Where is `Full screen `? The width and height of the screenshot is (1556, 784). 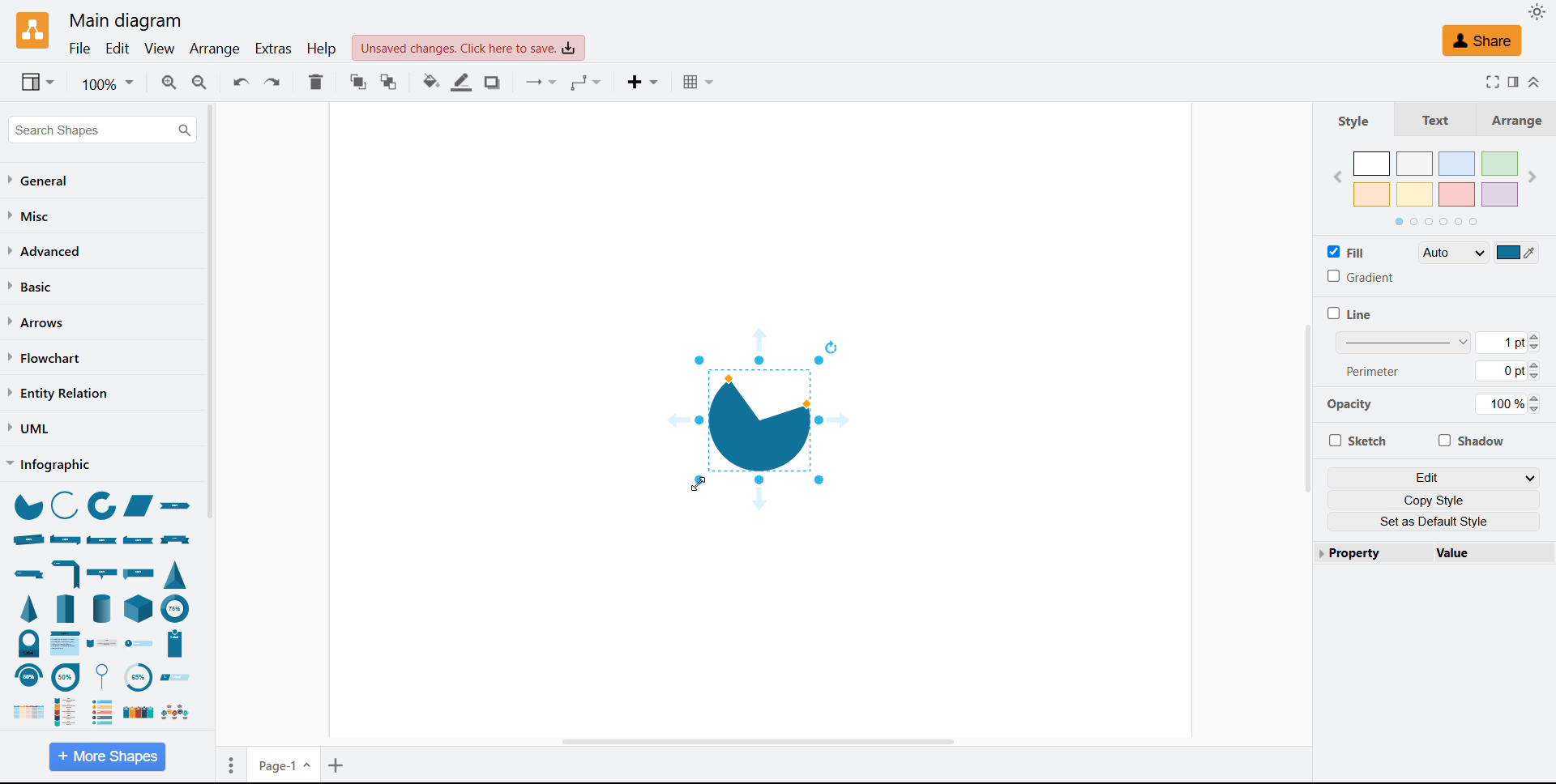
Full screen  is located at coordinates (1489, 81).